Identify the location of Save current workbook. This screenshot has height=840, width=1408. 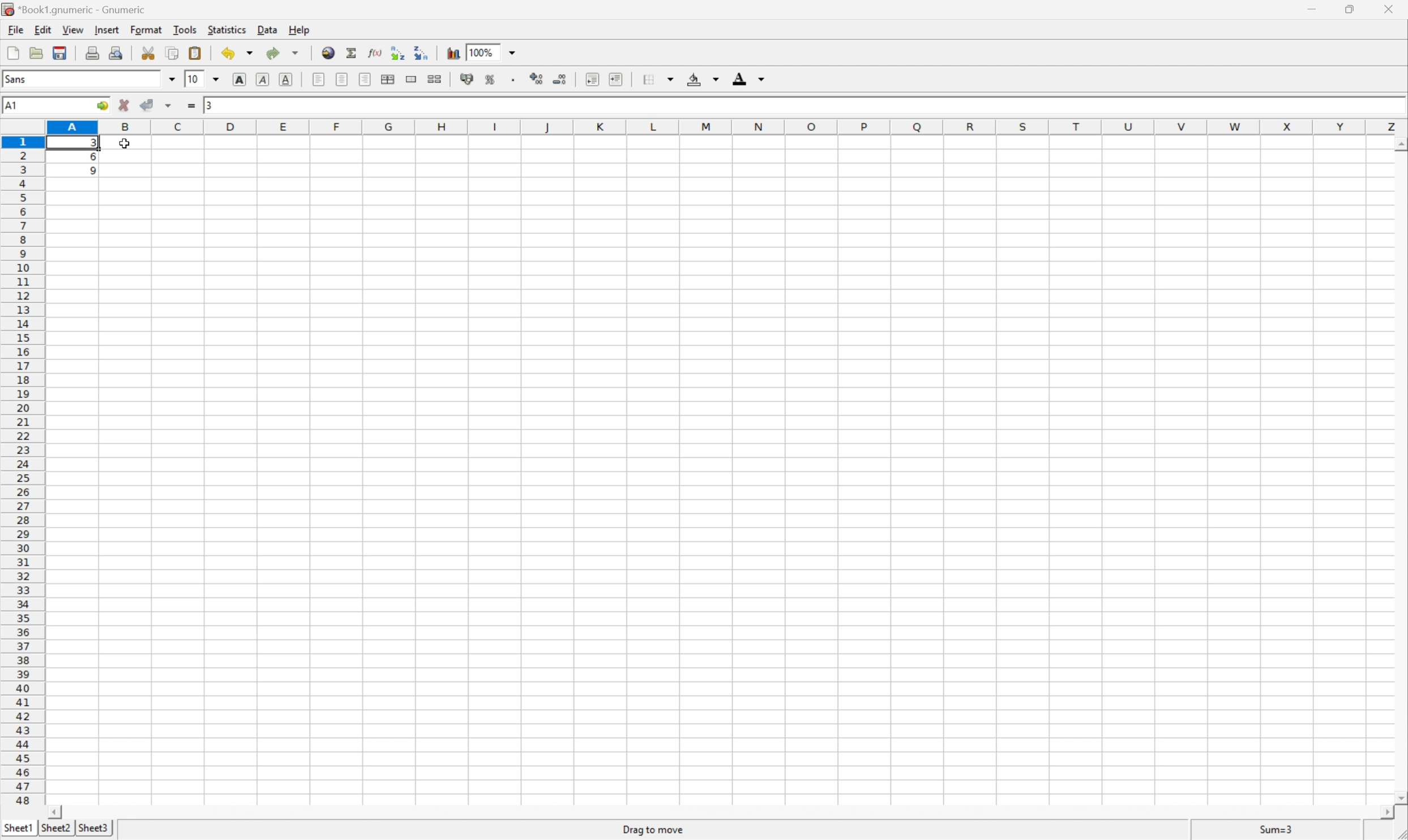
(57, 54).